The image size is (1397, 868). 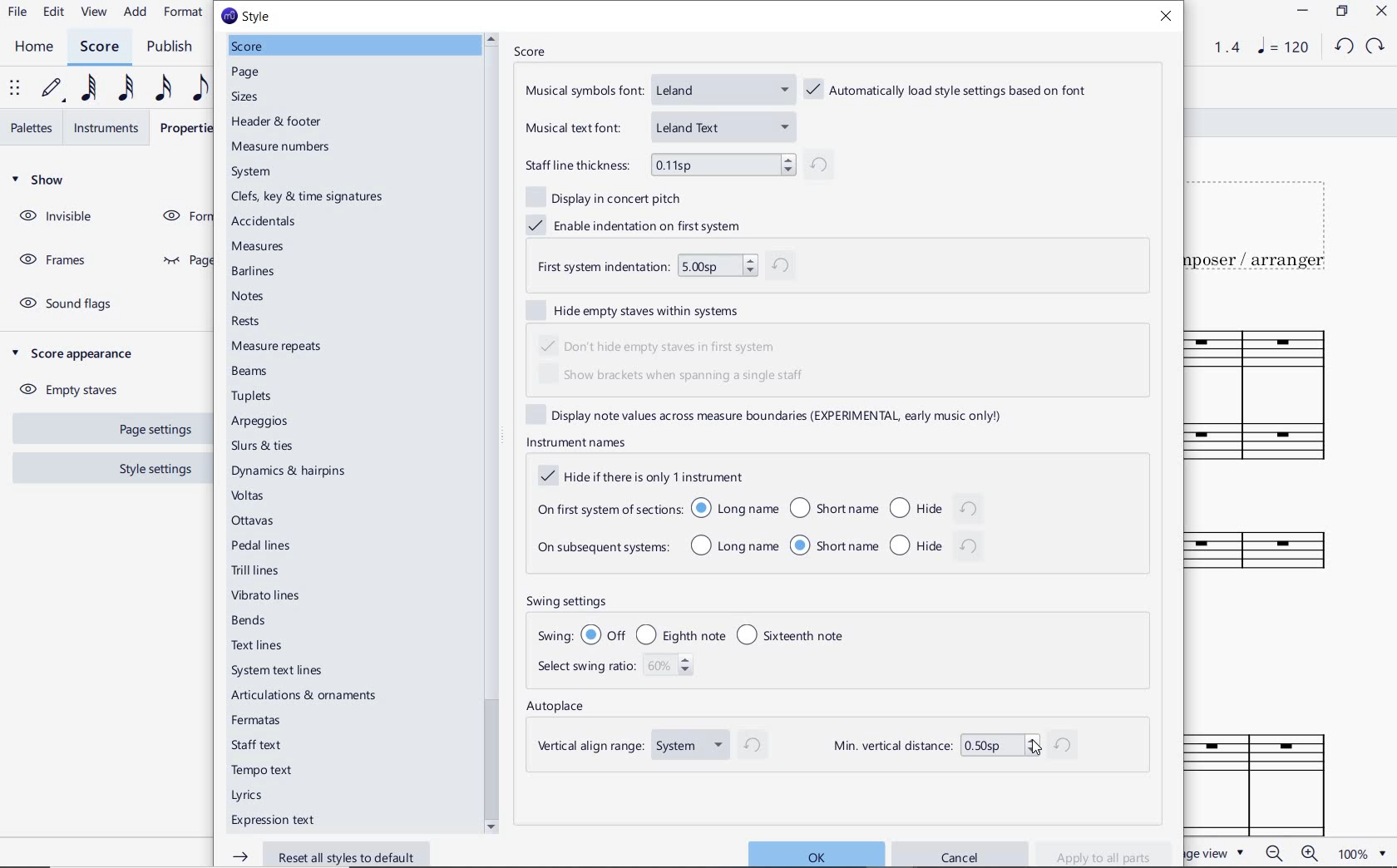 I want to click on SHOW, so click(x=41, y=180).